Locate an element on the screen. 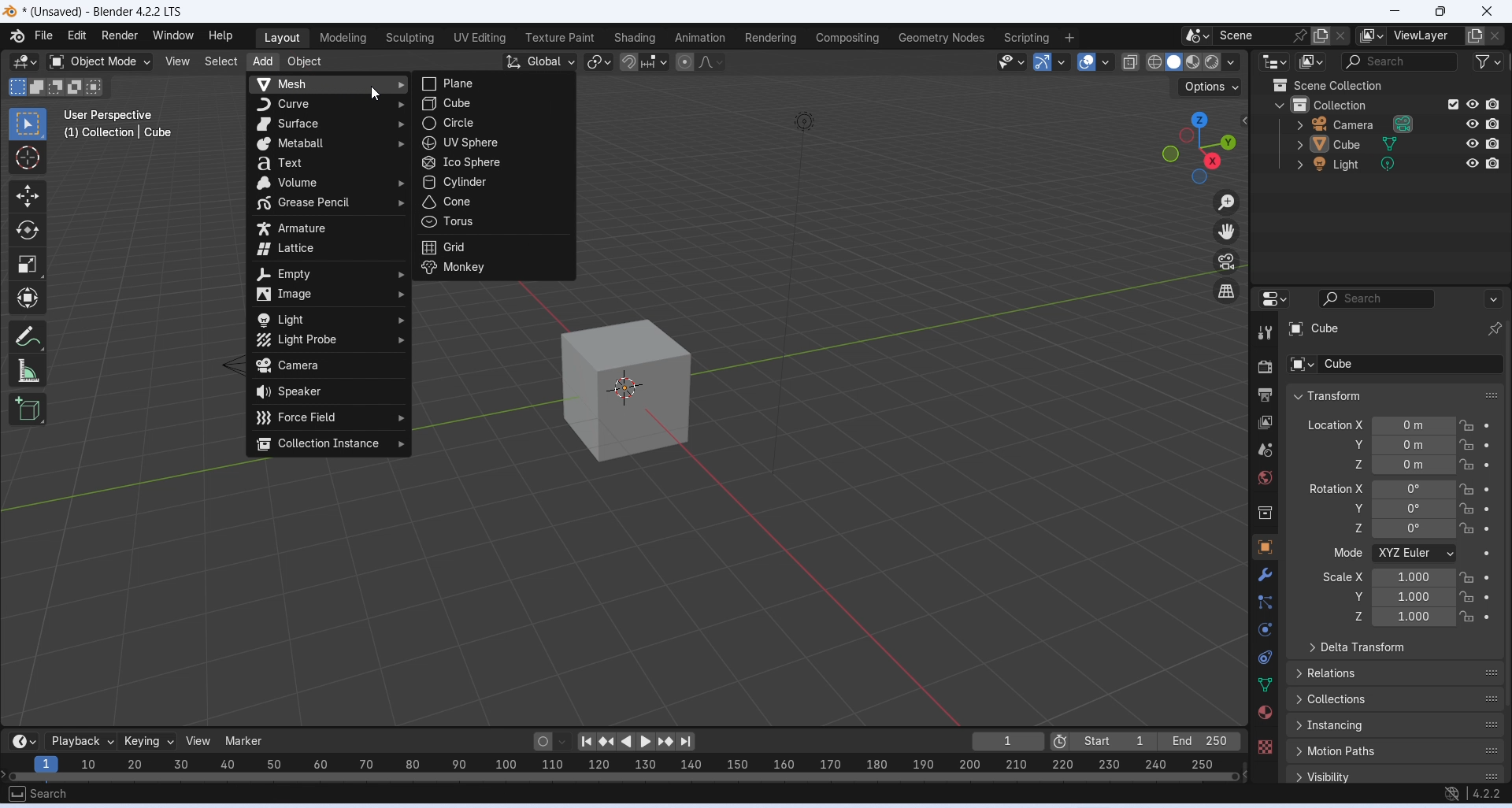 This screenshot has width=1512, height=808. proportional editing fall off is located at coordinates (712, 61).